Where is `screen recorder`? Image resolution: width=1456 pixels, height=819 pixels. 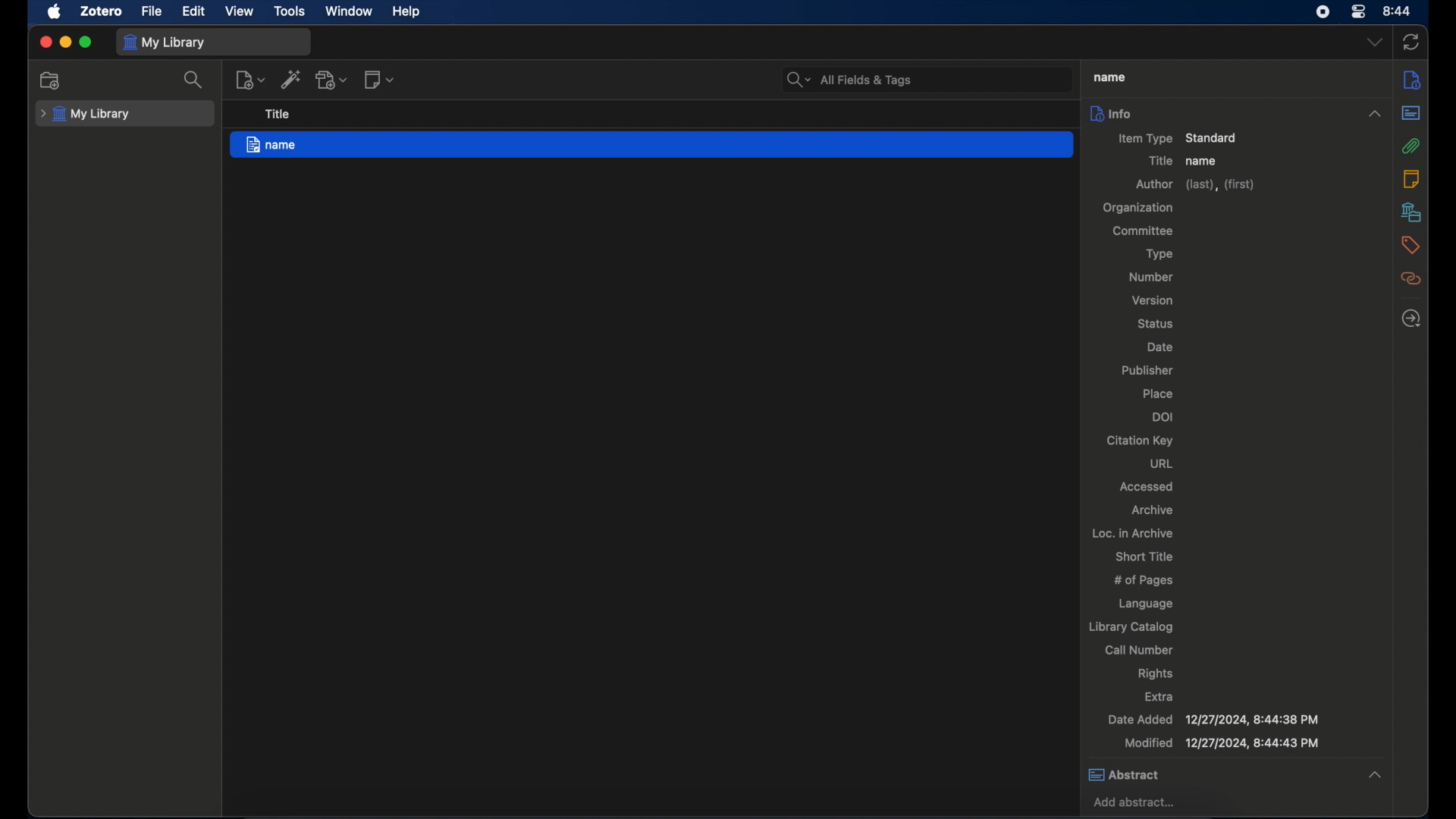 screen recorder is located at coordinates (1323, 12).